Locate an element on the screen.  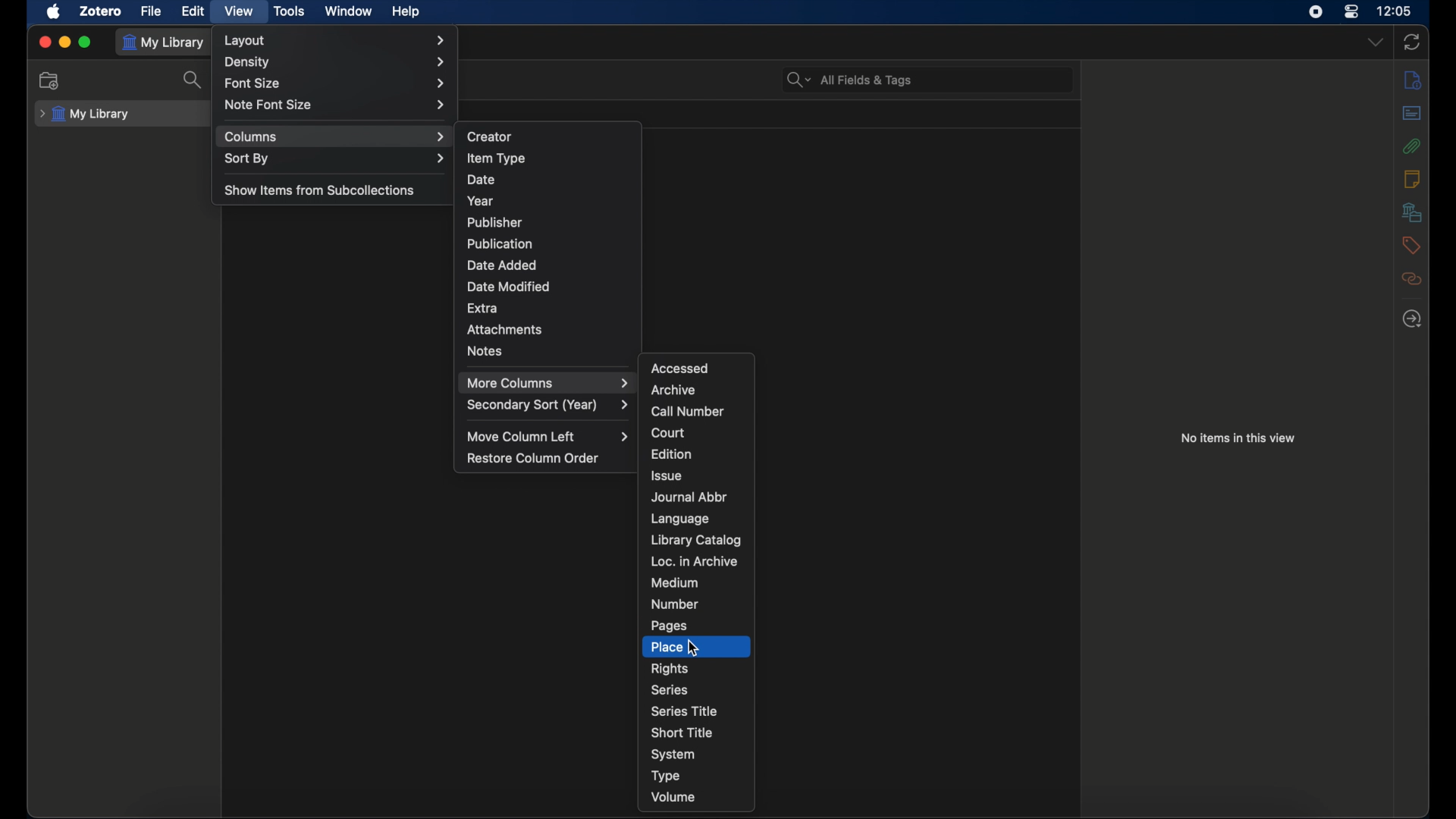
my library is located at coordinates (164, 42).